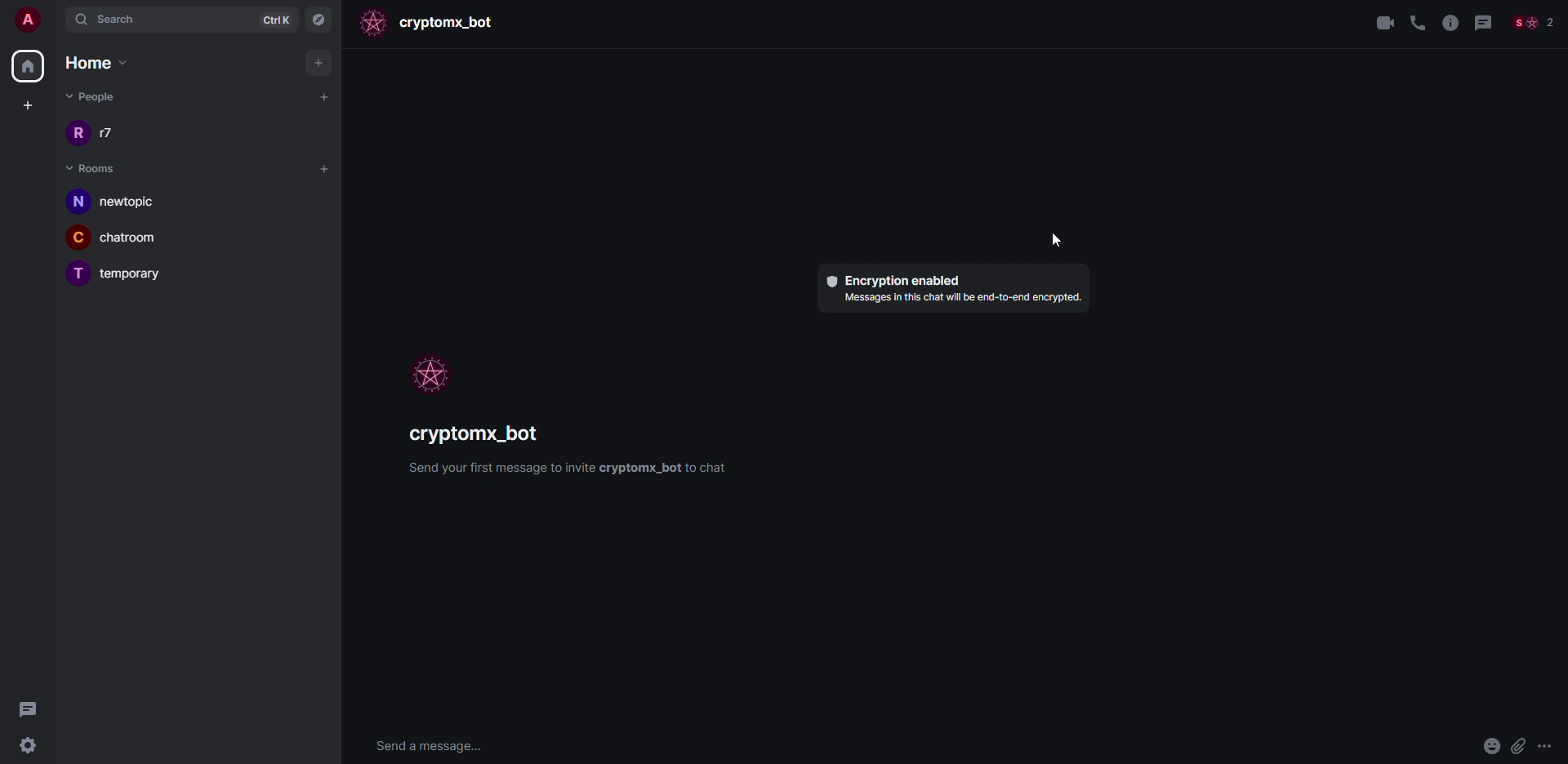 The image size is (1568, 764). I want to click on C, so click(79, 237).